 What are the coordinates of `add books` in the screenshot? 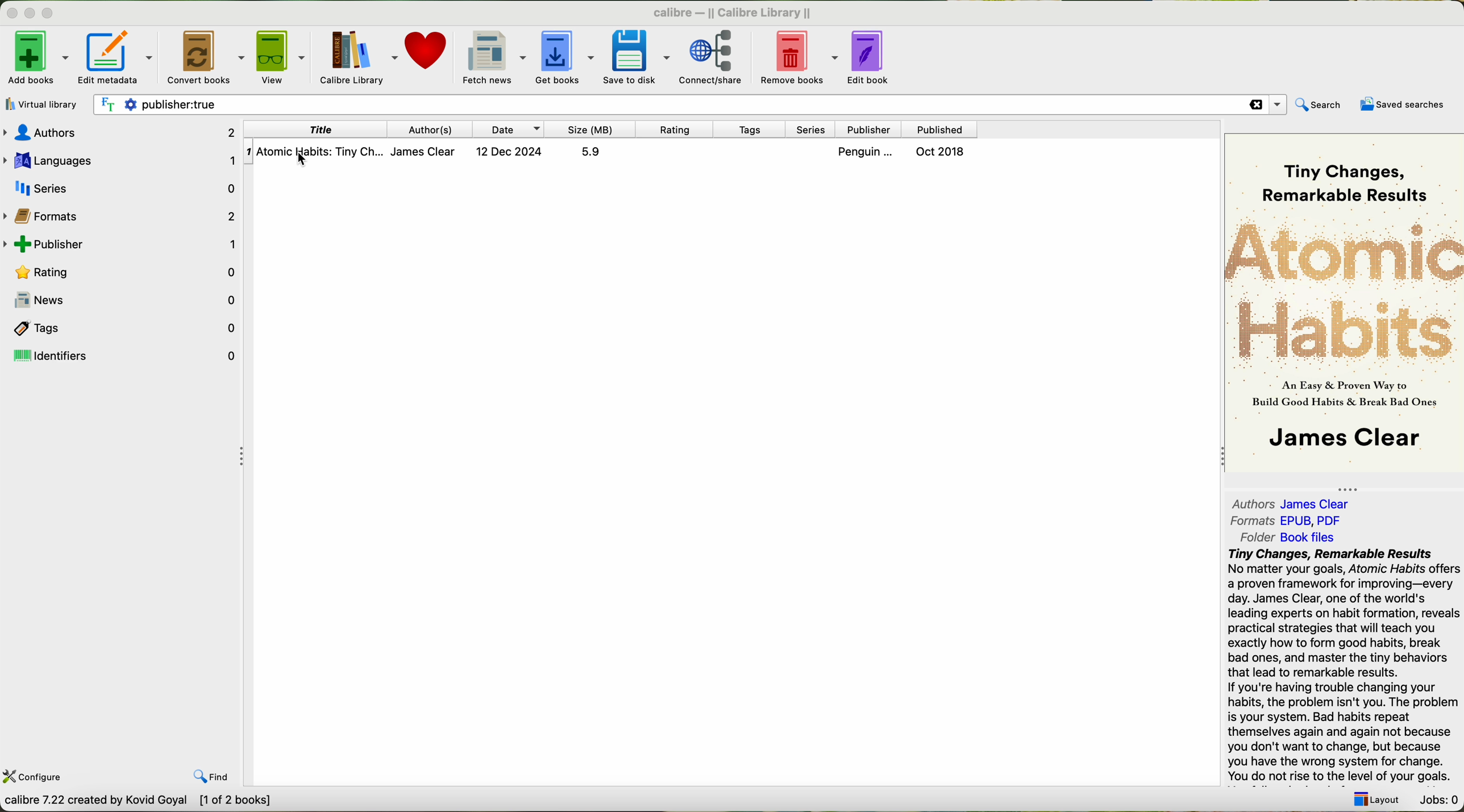 It's located at (35, 57).